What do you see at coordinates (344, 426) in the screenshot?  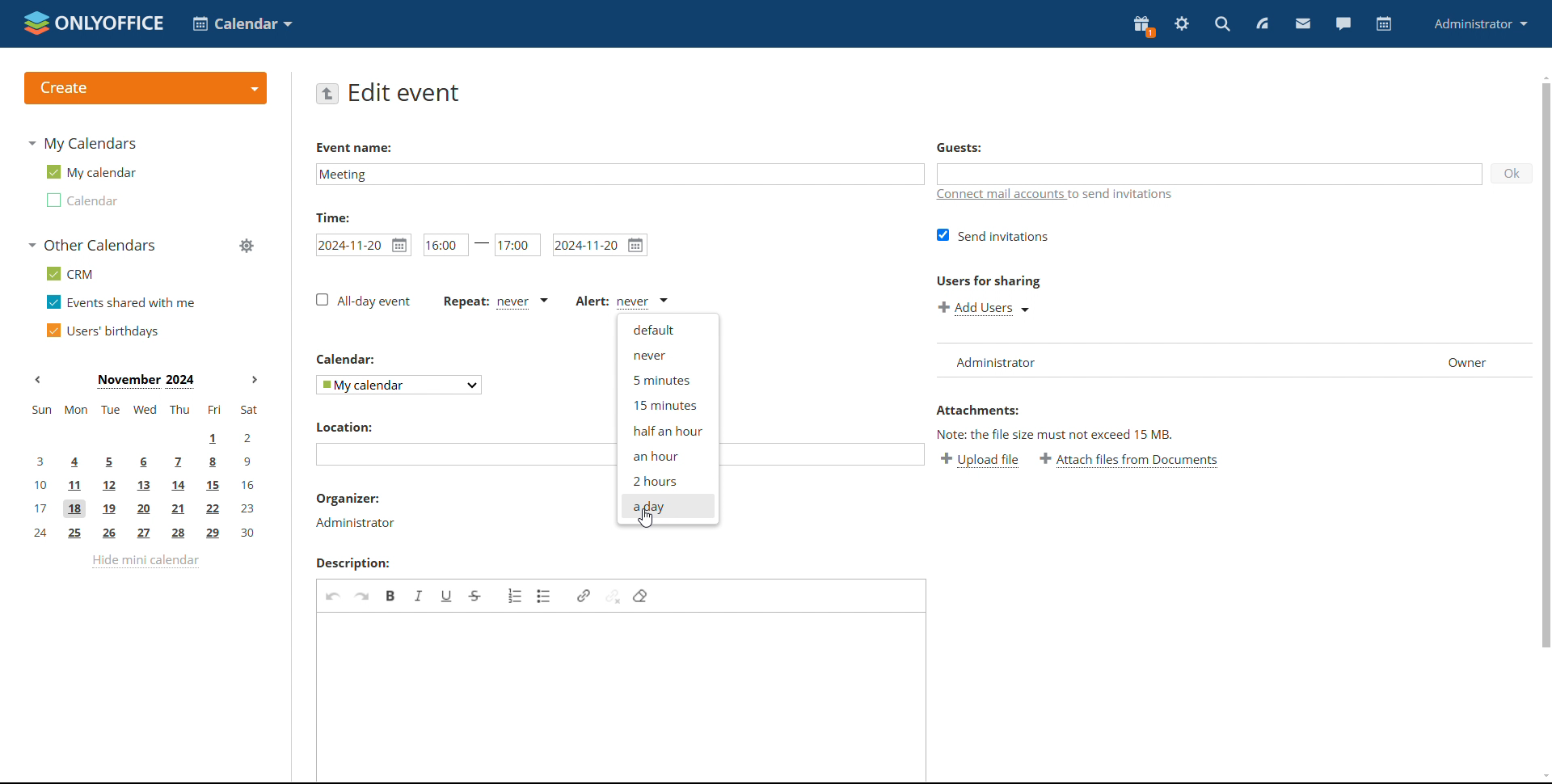 I see `Location` at bounding box center [344, 426].